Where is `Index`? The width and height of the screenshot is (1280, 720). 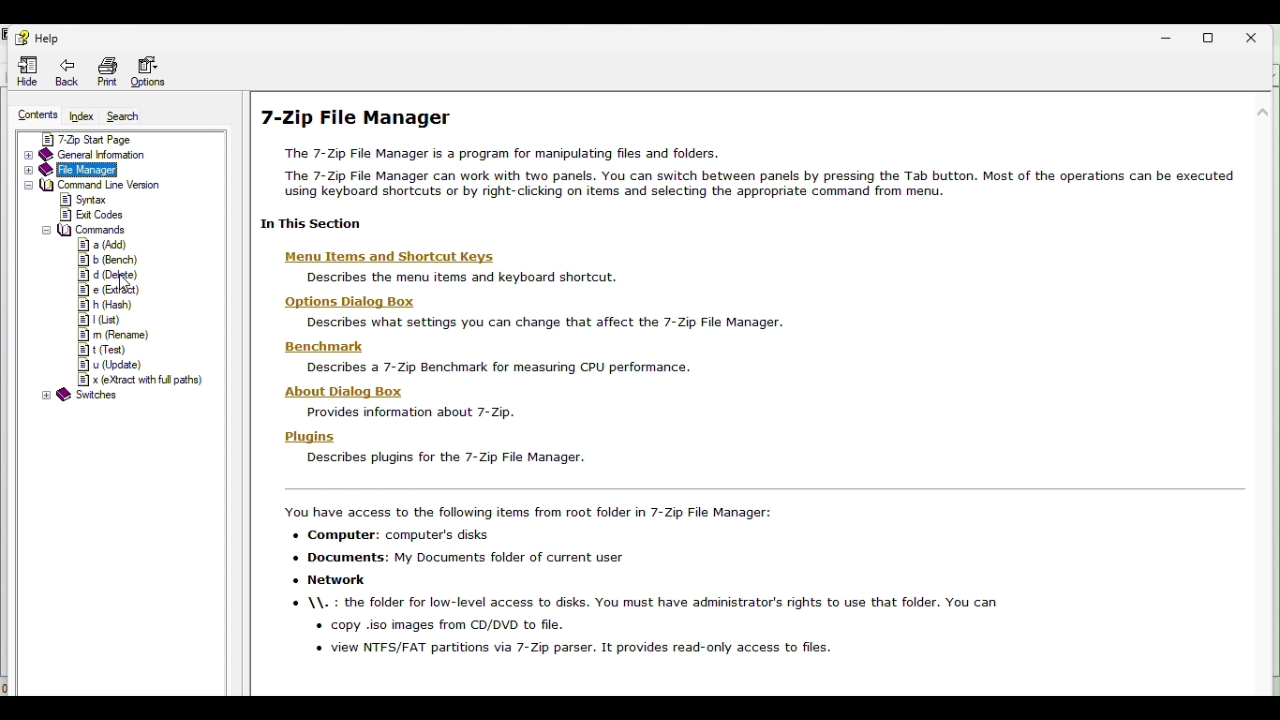 Index is located at coordinates (83, 118).